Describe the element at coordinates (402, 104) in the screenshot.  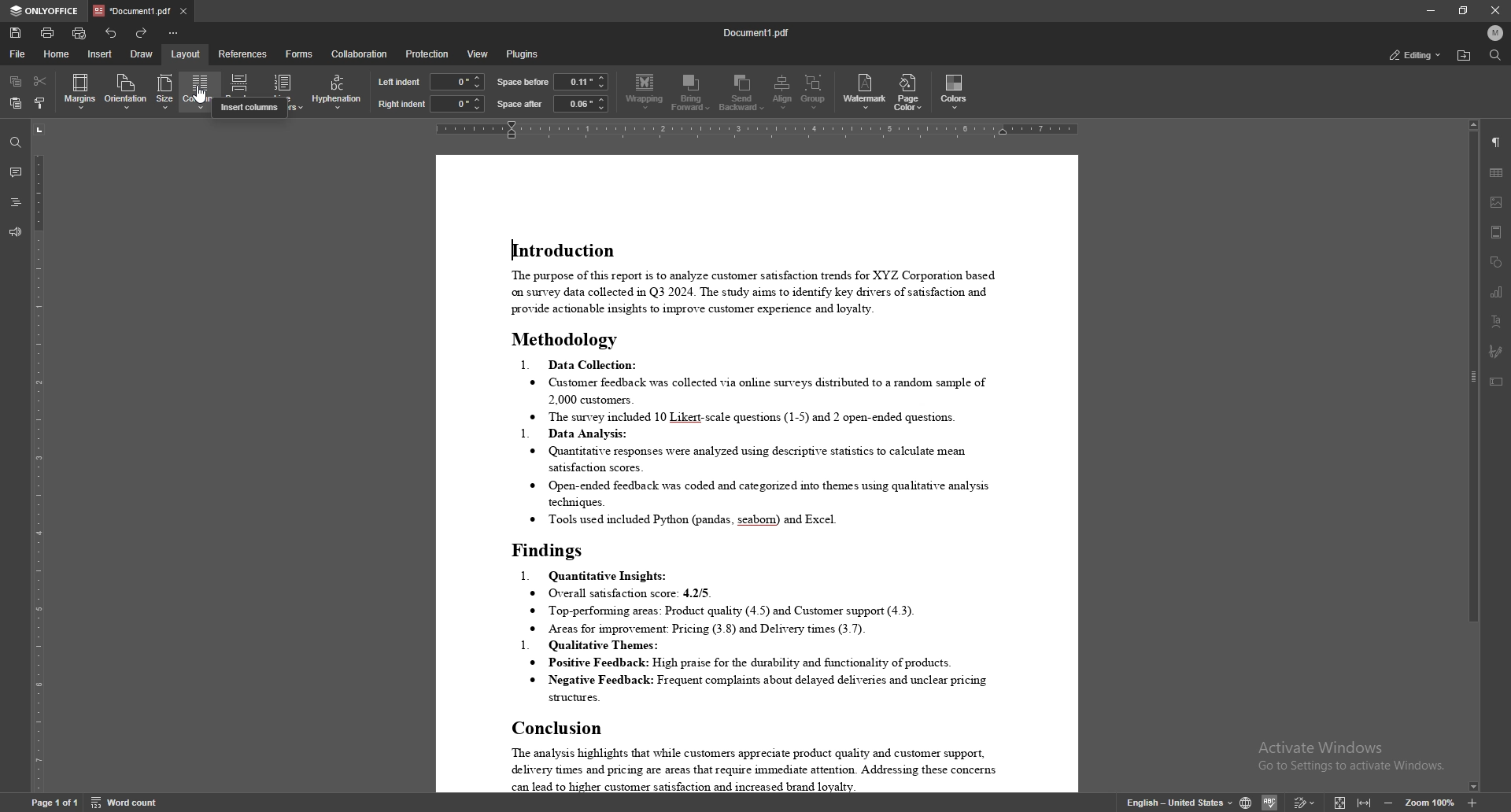
I see `right indent` at that location.